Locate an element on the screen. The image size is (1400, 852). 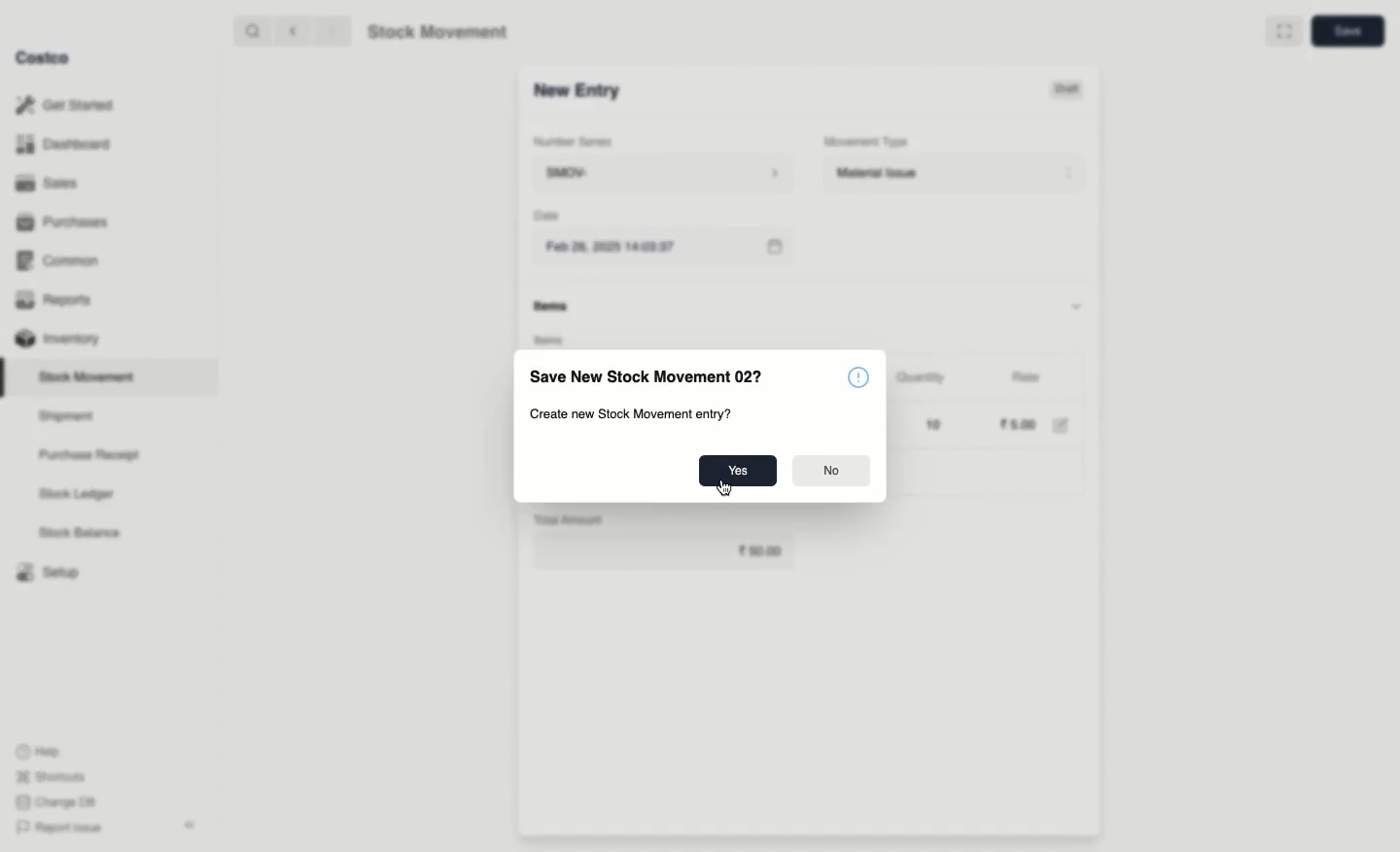
forward is located at coordinates (328, 30).